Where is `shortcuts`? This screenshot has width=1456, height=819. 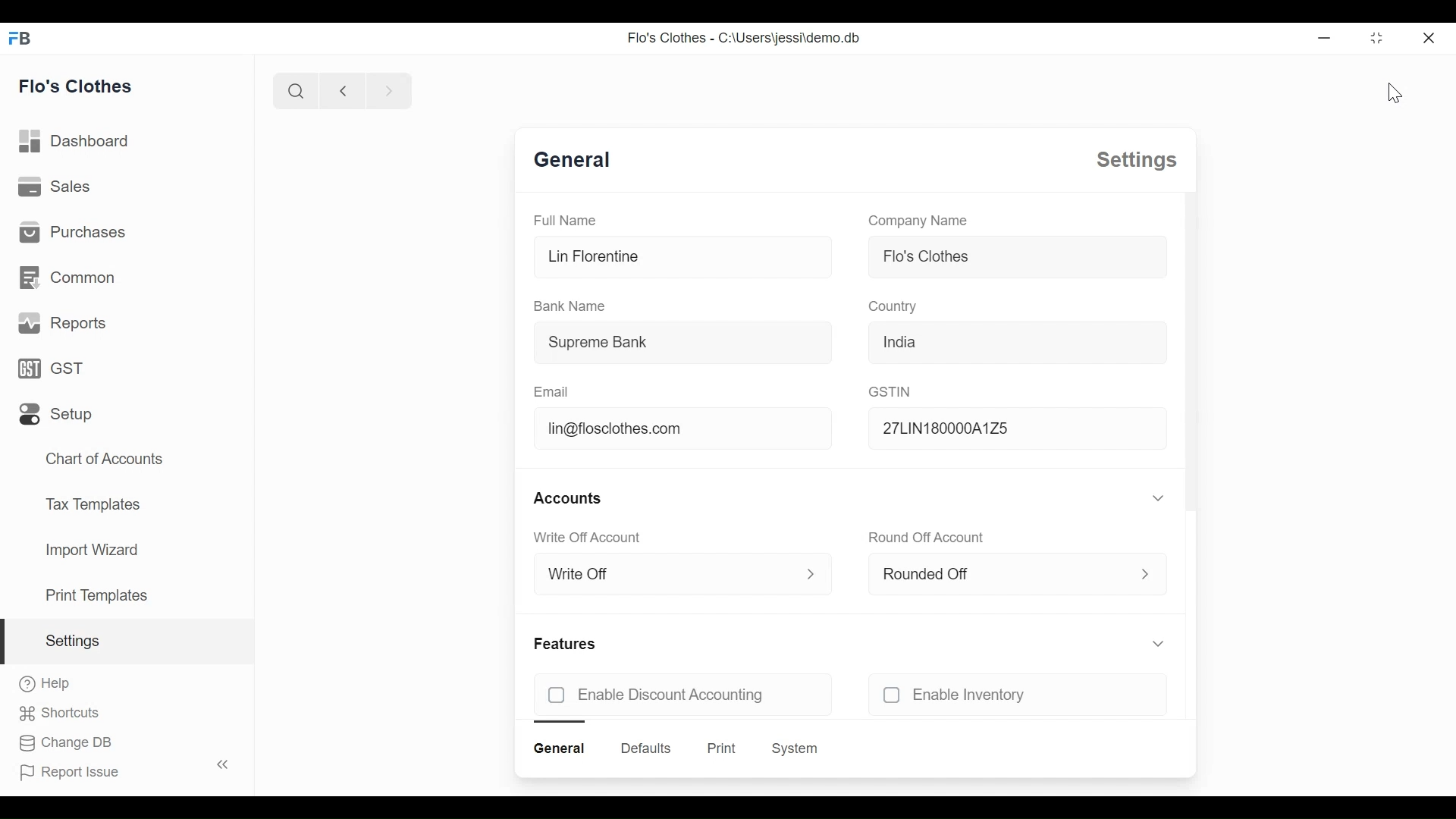 shortcuts is located at coordinates (59, 714).